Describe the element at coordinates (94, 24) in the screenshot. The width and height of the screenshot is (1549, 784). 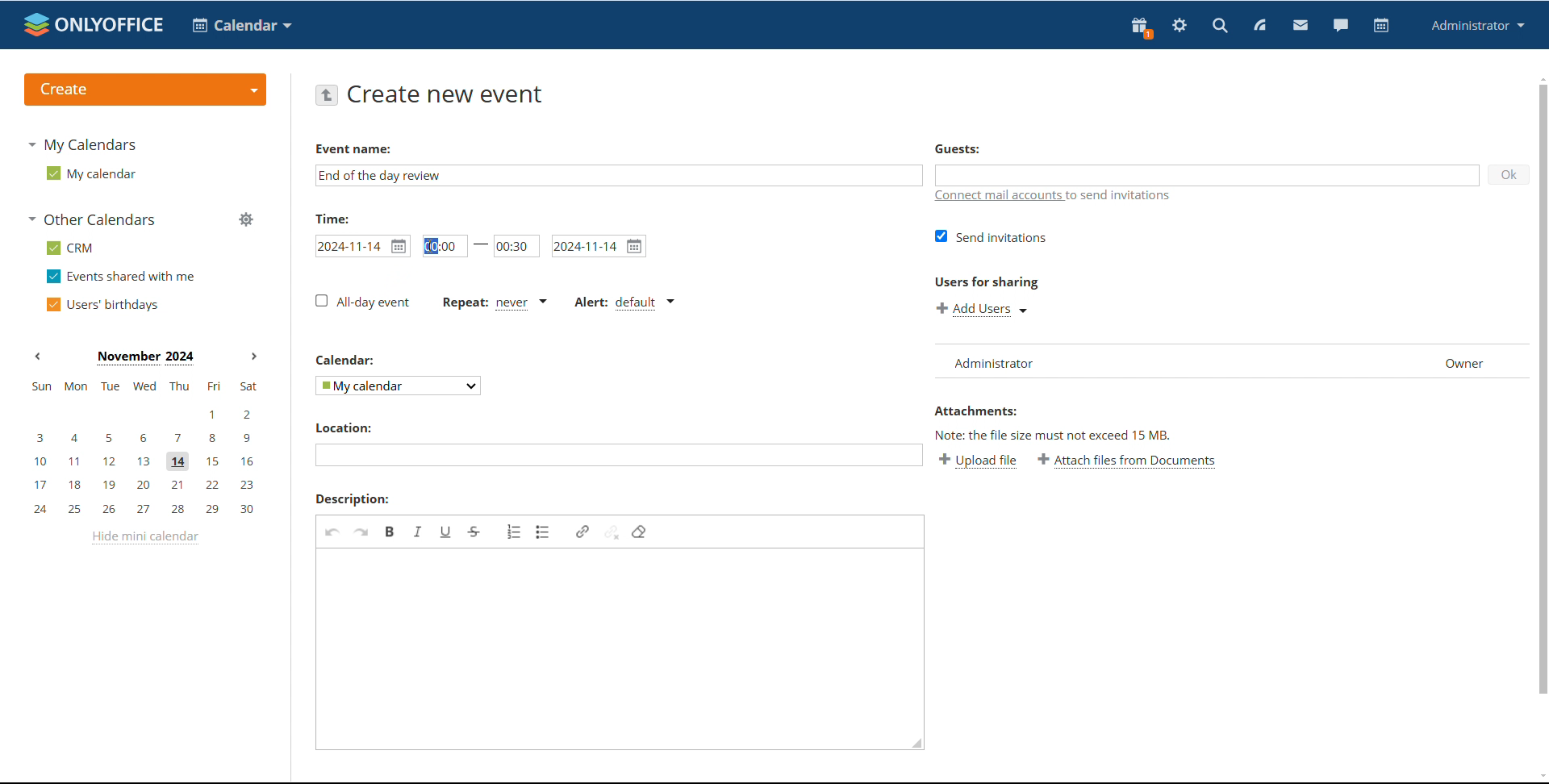
I see `logo` at that location.